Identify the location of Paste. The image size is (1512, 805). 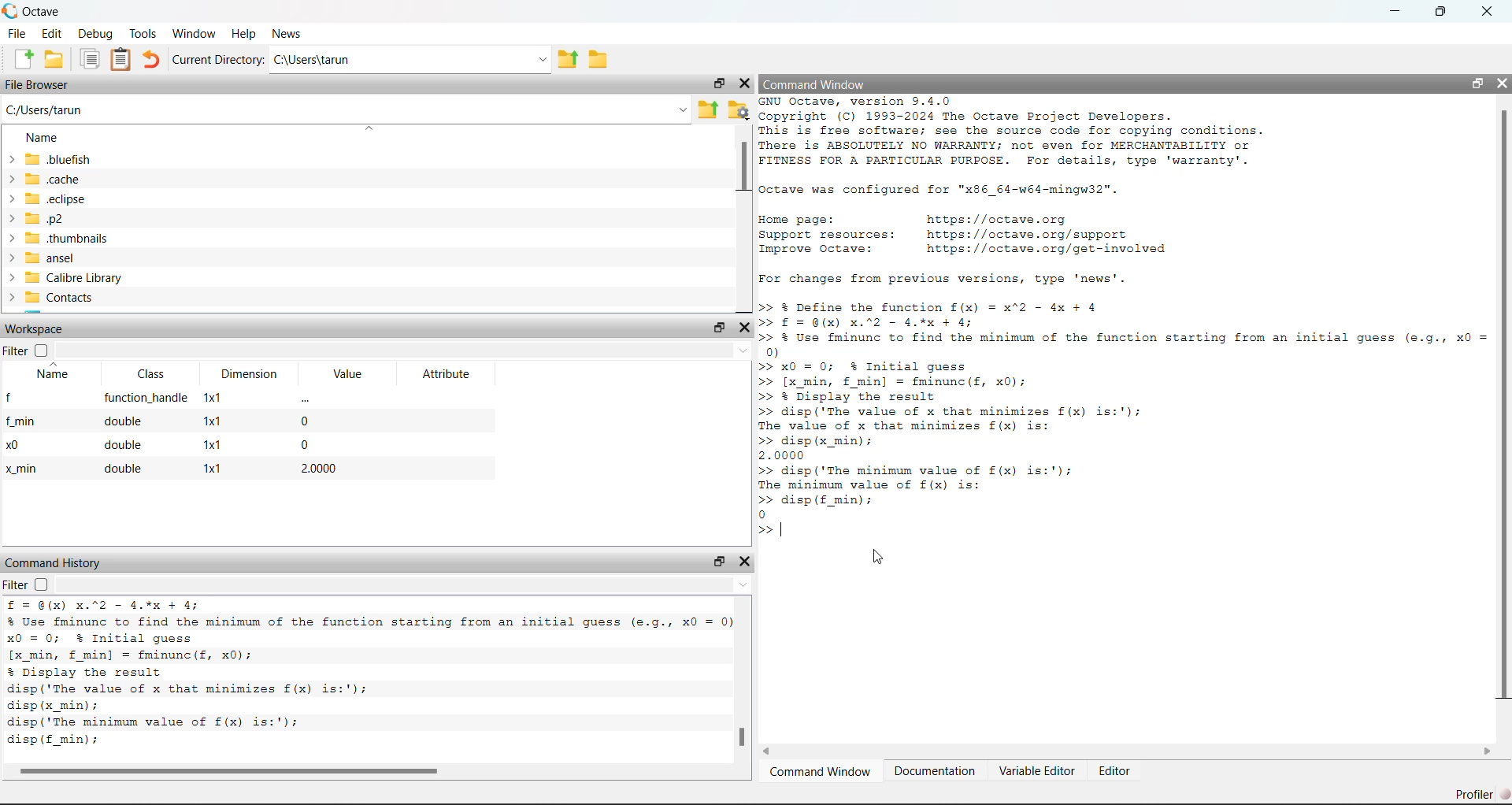
(121, 61).